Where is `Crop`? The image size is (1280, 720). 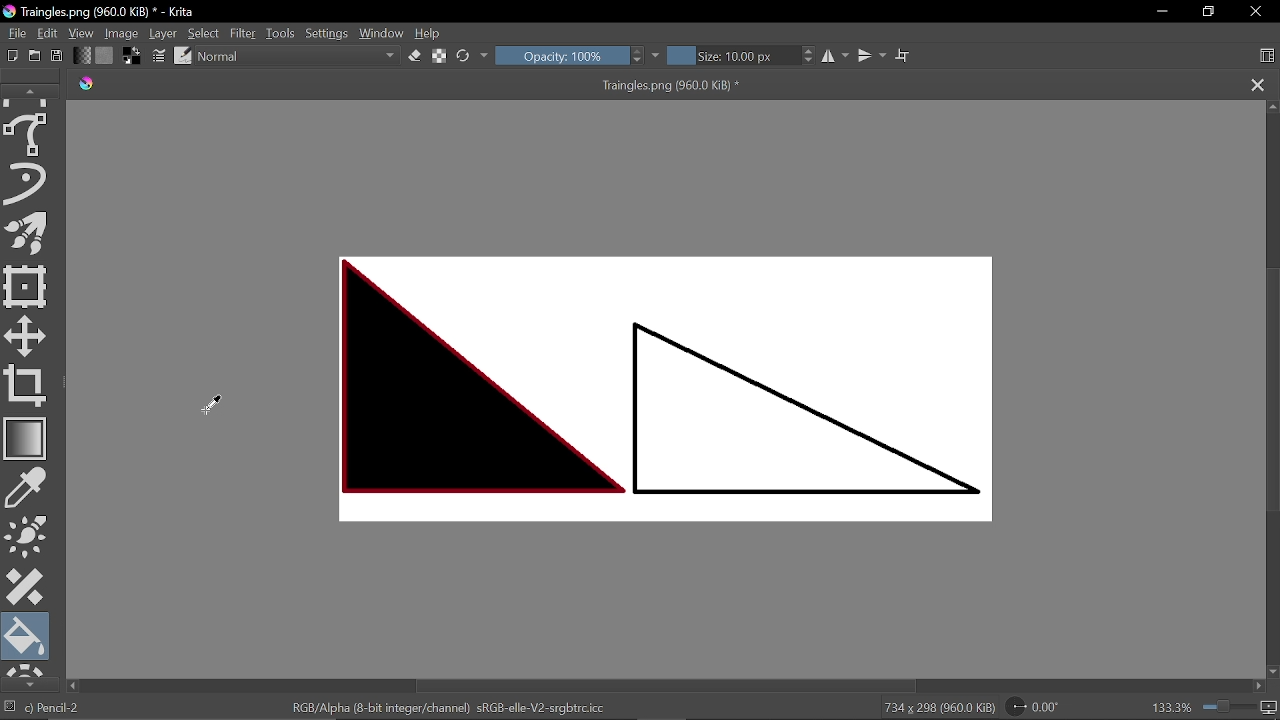 Crop is located at coordinates (26, 385).